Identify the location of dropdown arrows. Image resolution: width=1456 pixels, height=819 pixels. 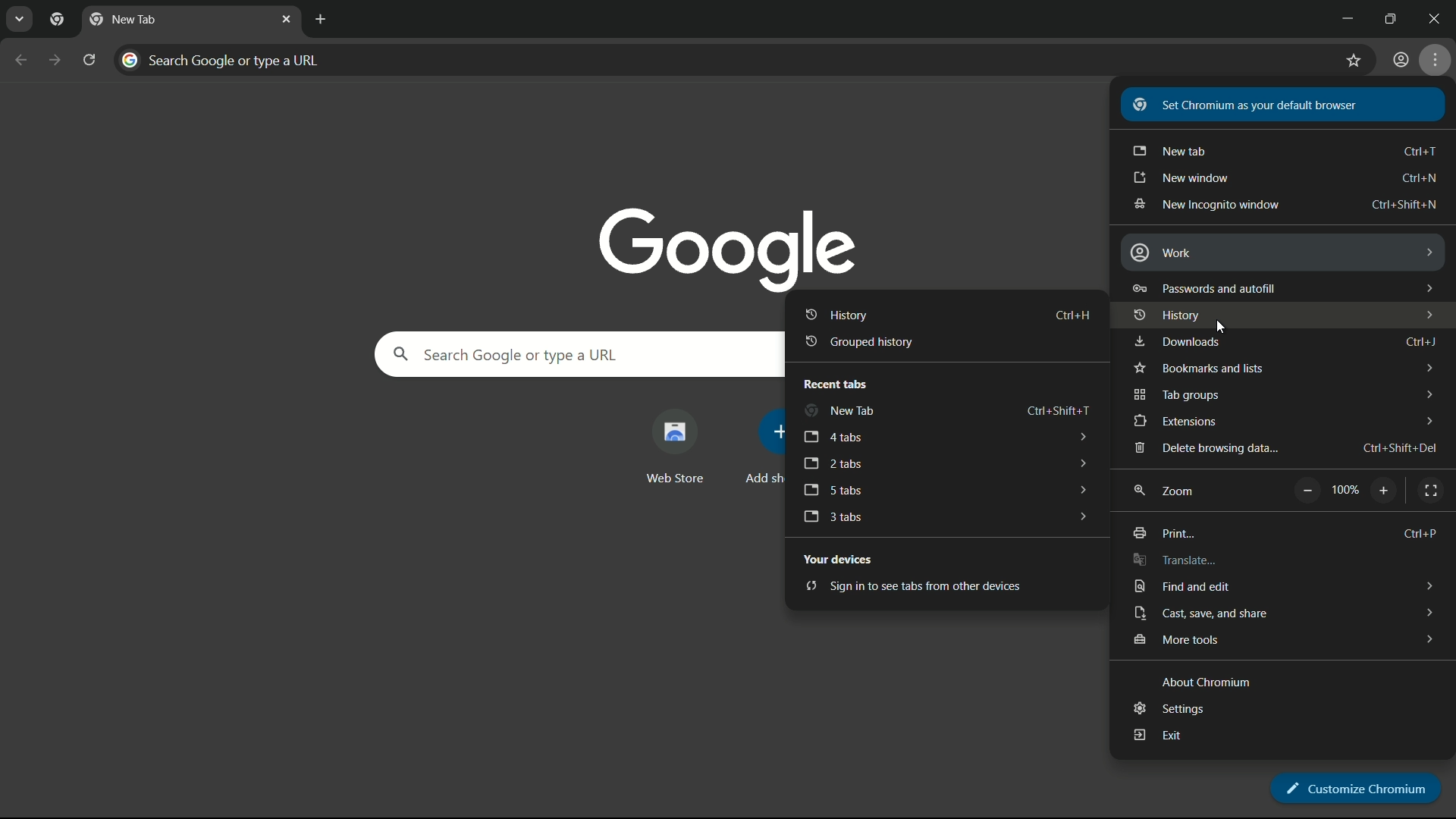
(1426, 249).